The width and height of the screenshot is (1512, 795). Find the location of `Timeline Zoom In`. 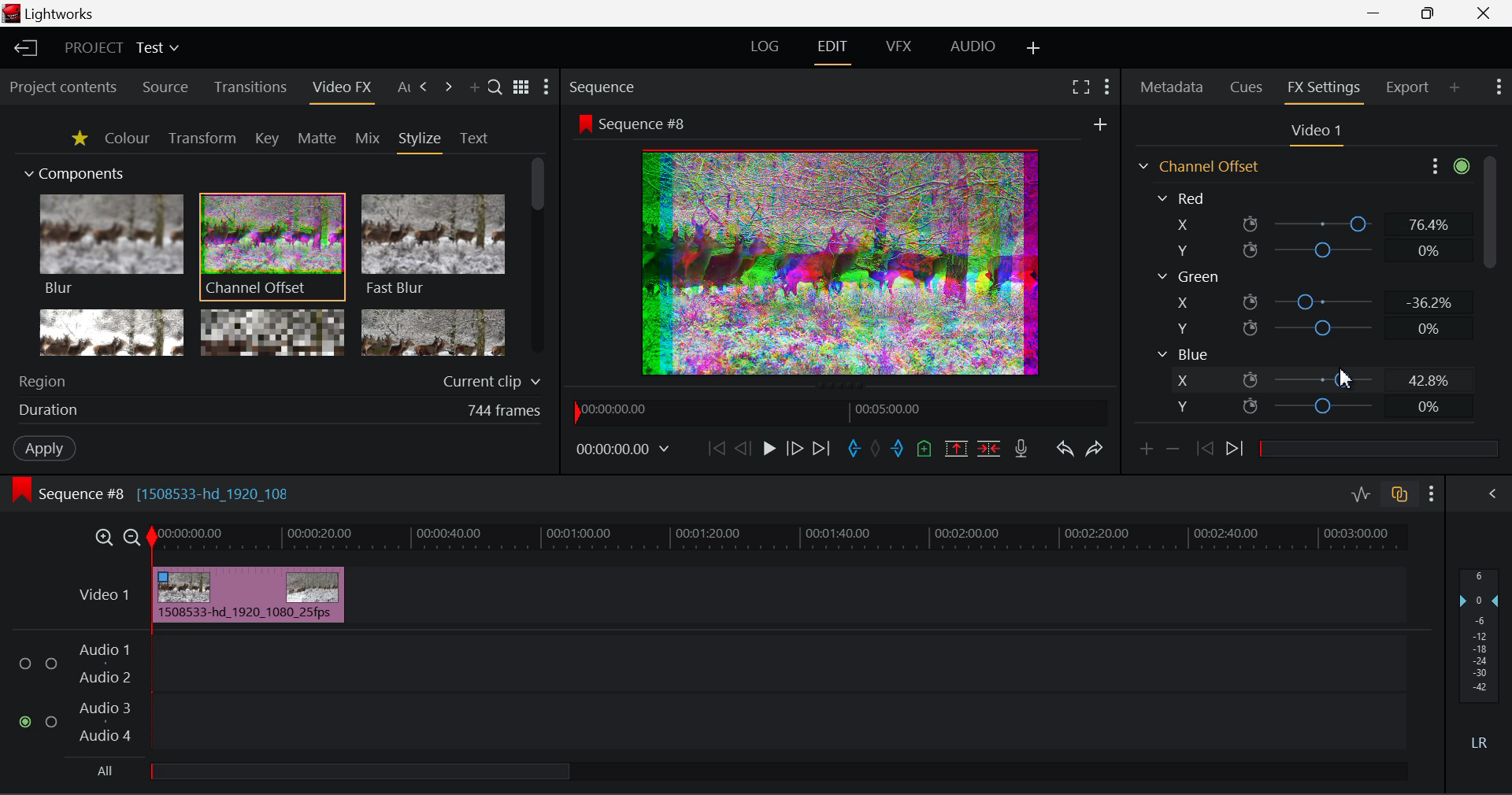

Timeline Zoom In is located at coordinates (103, 539).